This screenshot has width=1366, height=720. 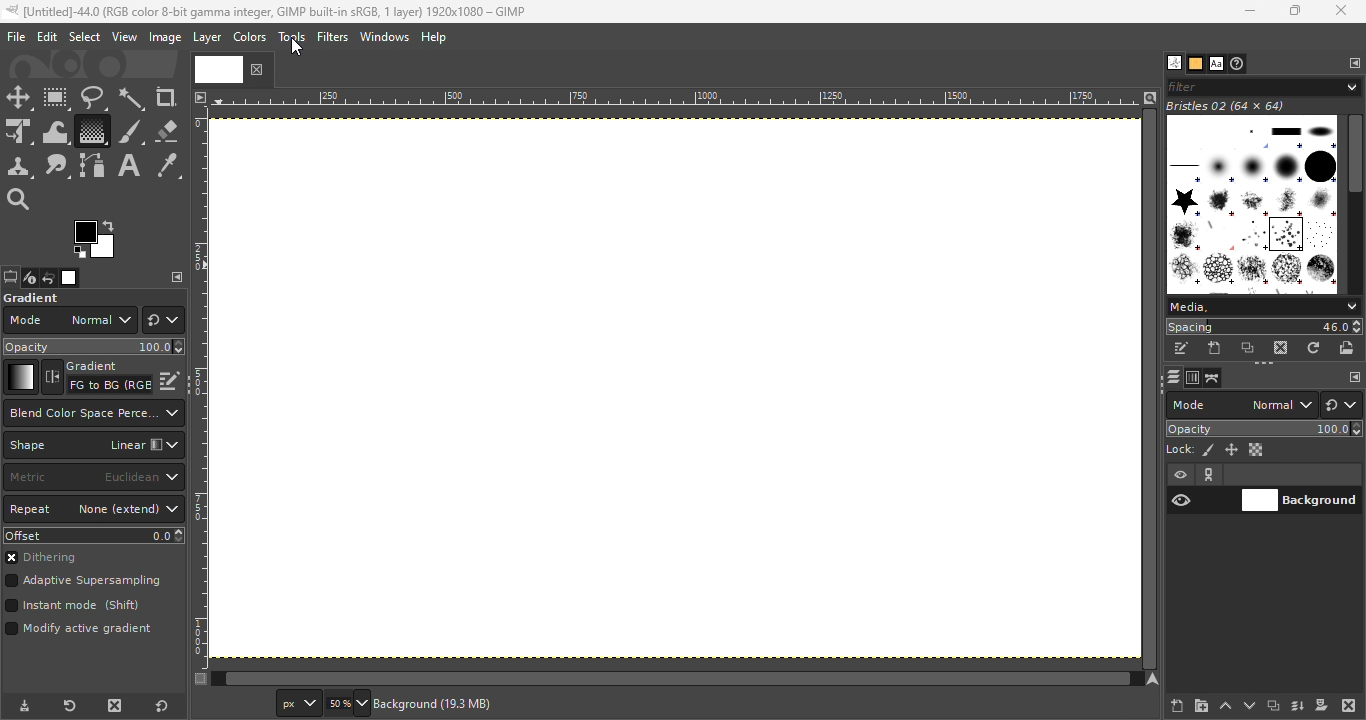 I want to click on Filters, so click(x=333, y=37).